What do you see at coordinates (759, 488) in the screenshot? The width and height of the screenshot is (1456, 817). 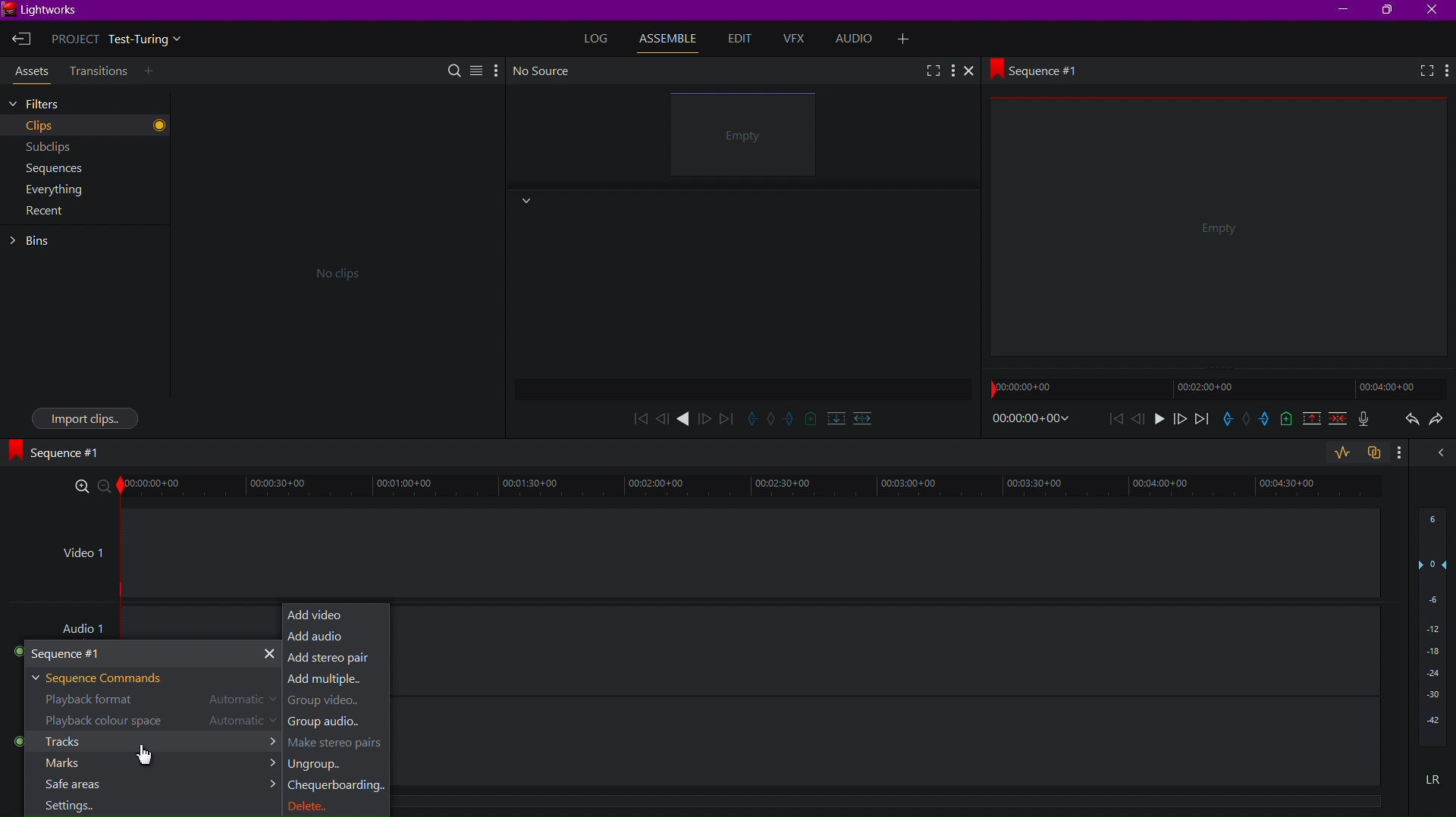 I see `Timeline` at bounding box center [759, 488].